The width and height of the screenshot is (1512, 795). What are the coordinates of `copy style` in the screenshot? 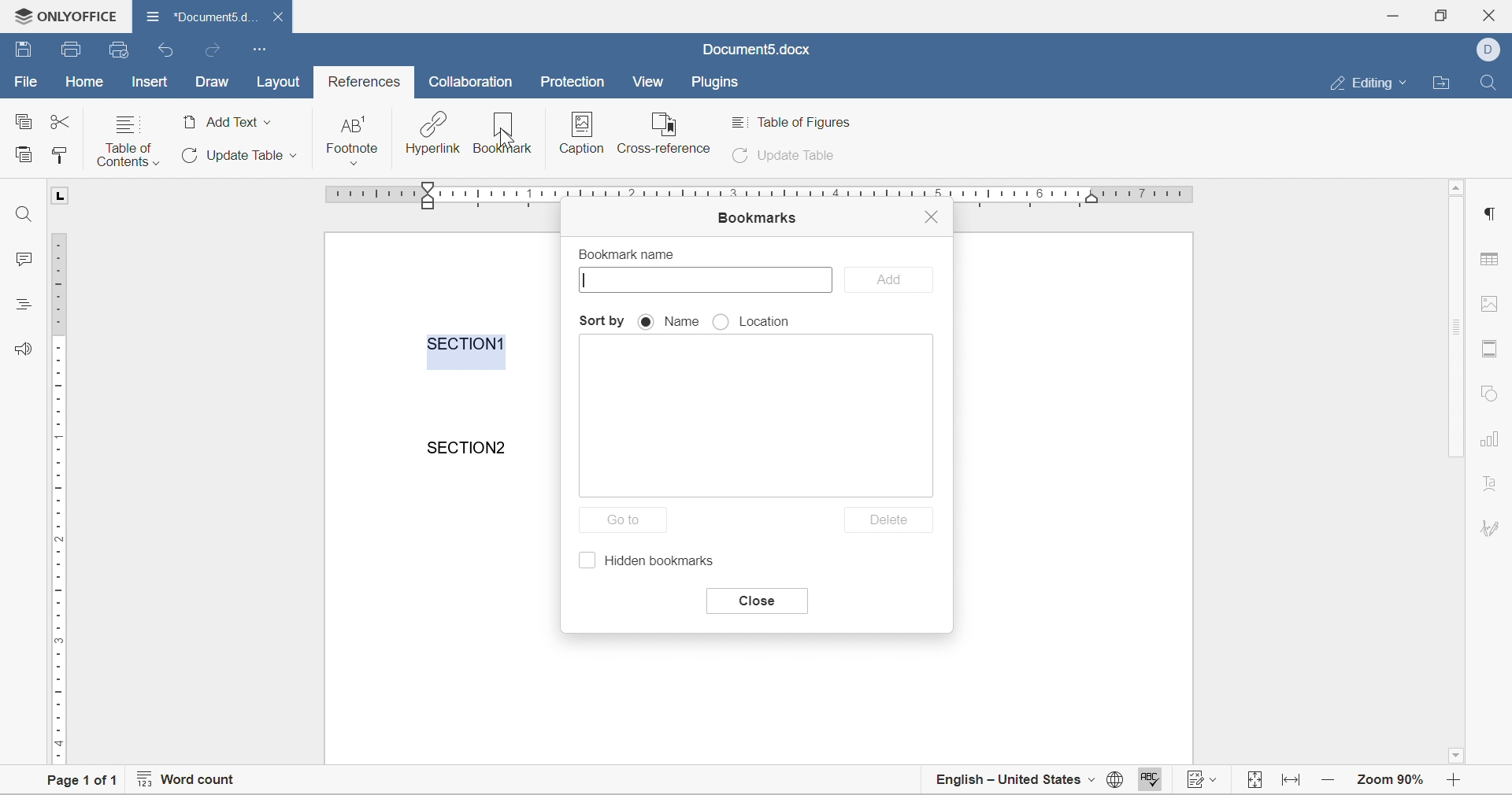 It's located at (59, 154).